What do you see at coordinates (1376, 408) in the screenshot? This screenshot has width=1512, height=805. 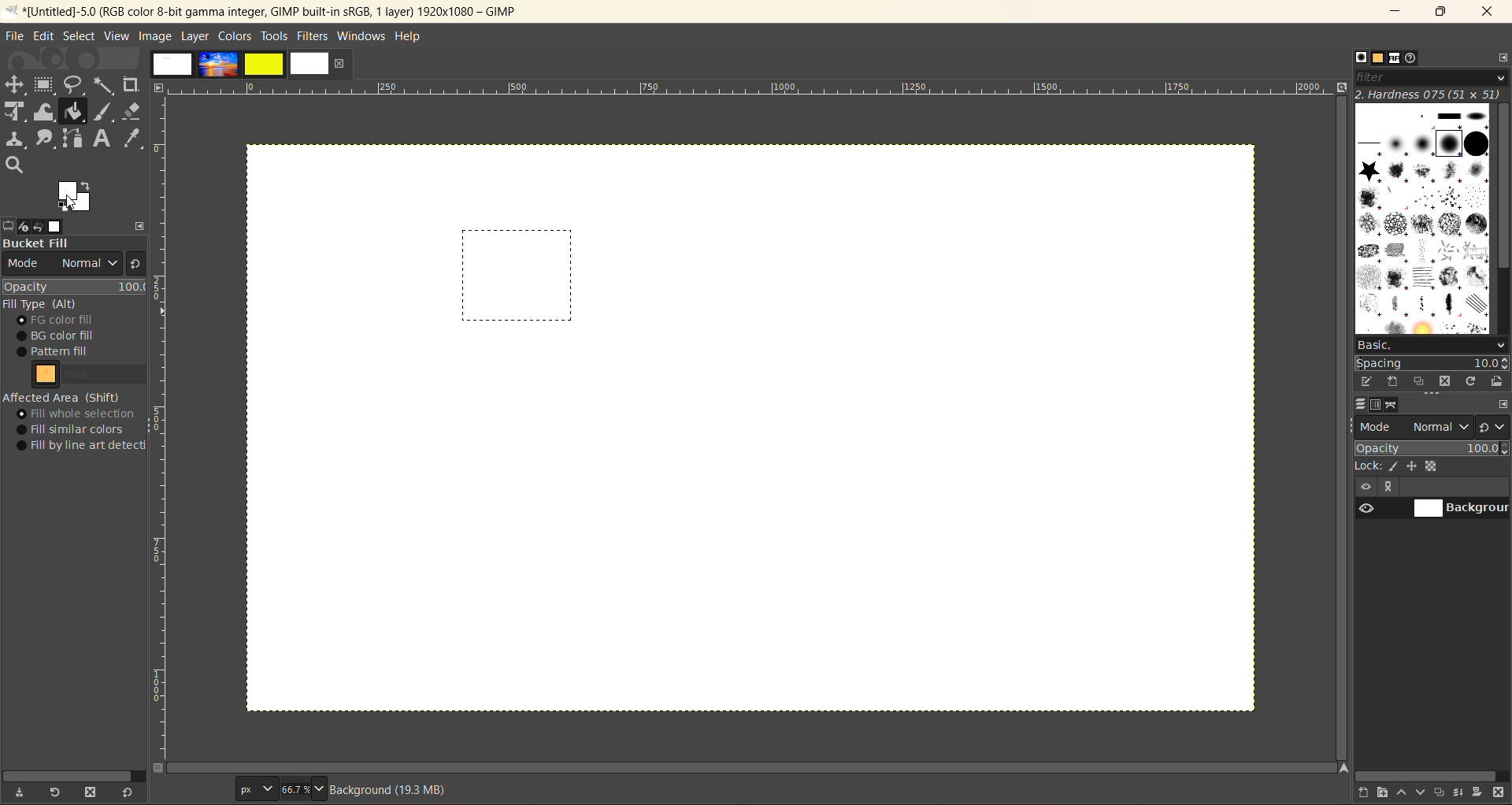 I see `channels` at bounding box center [1376, 408].